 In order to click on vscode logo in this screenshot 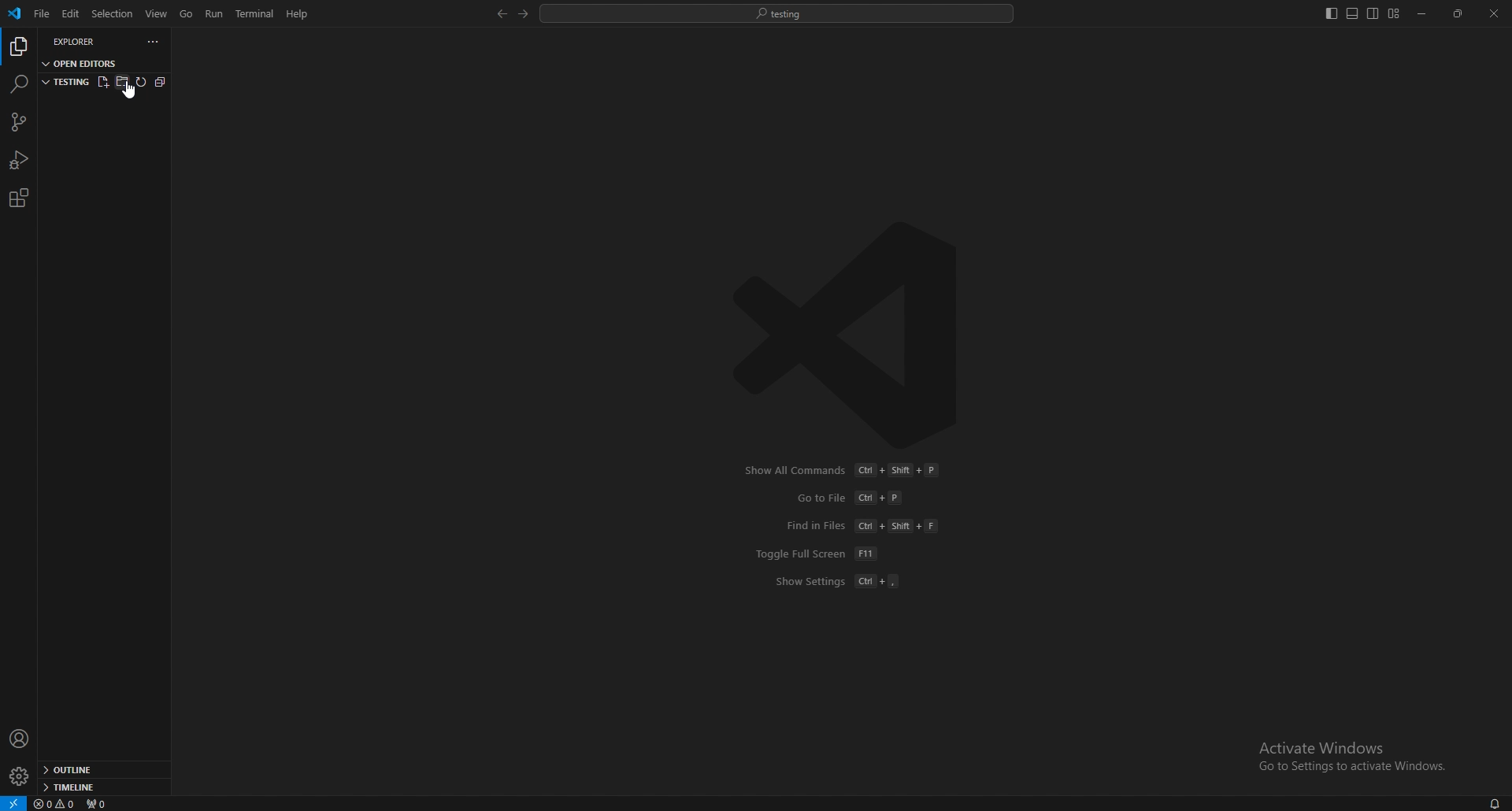, I will do `click(855, 335)`.